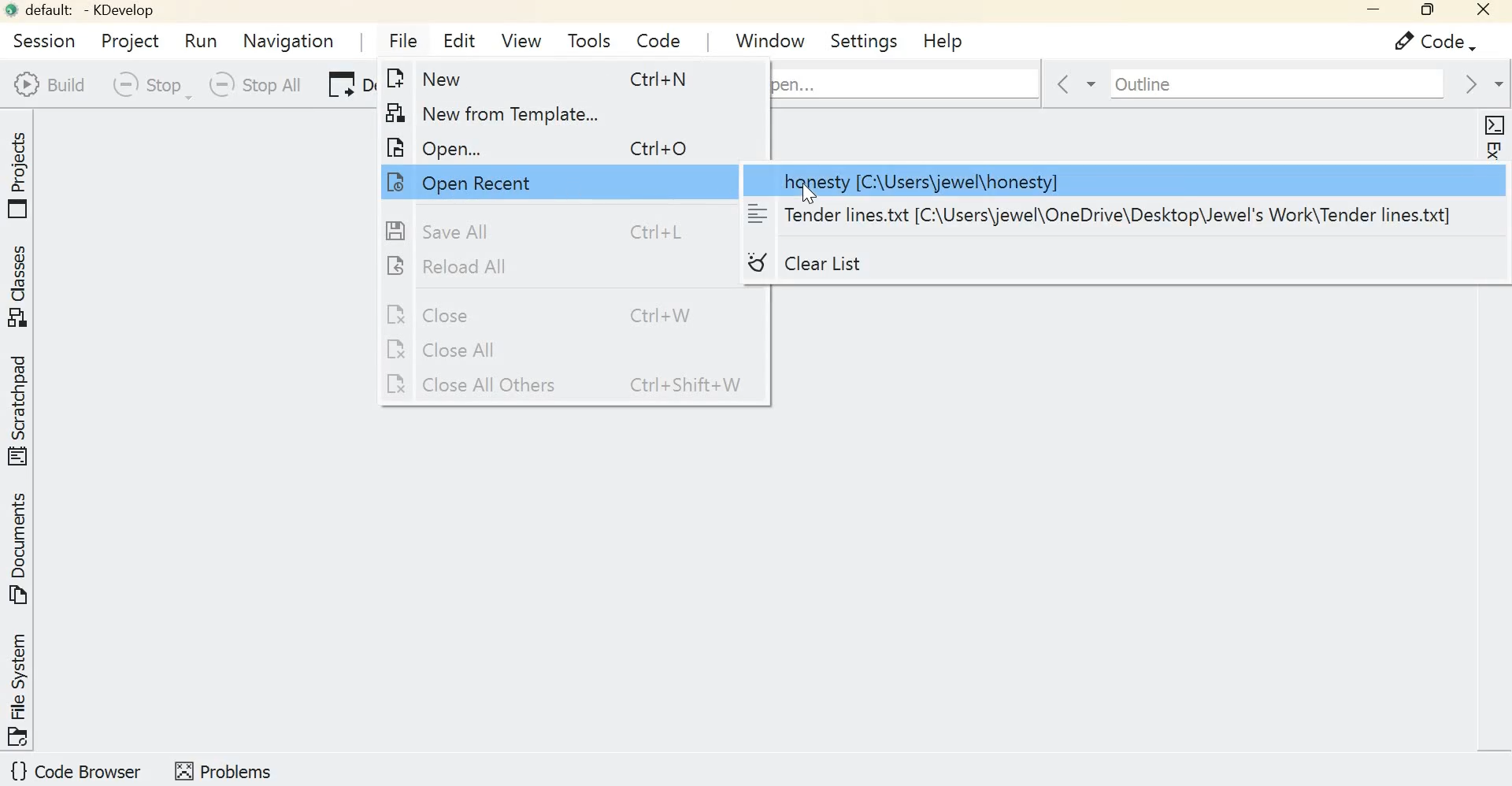  I want to click on close, so click(1485, 13).